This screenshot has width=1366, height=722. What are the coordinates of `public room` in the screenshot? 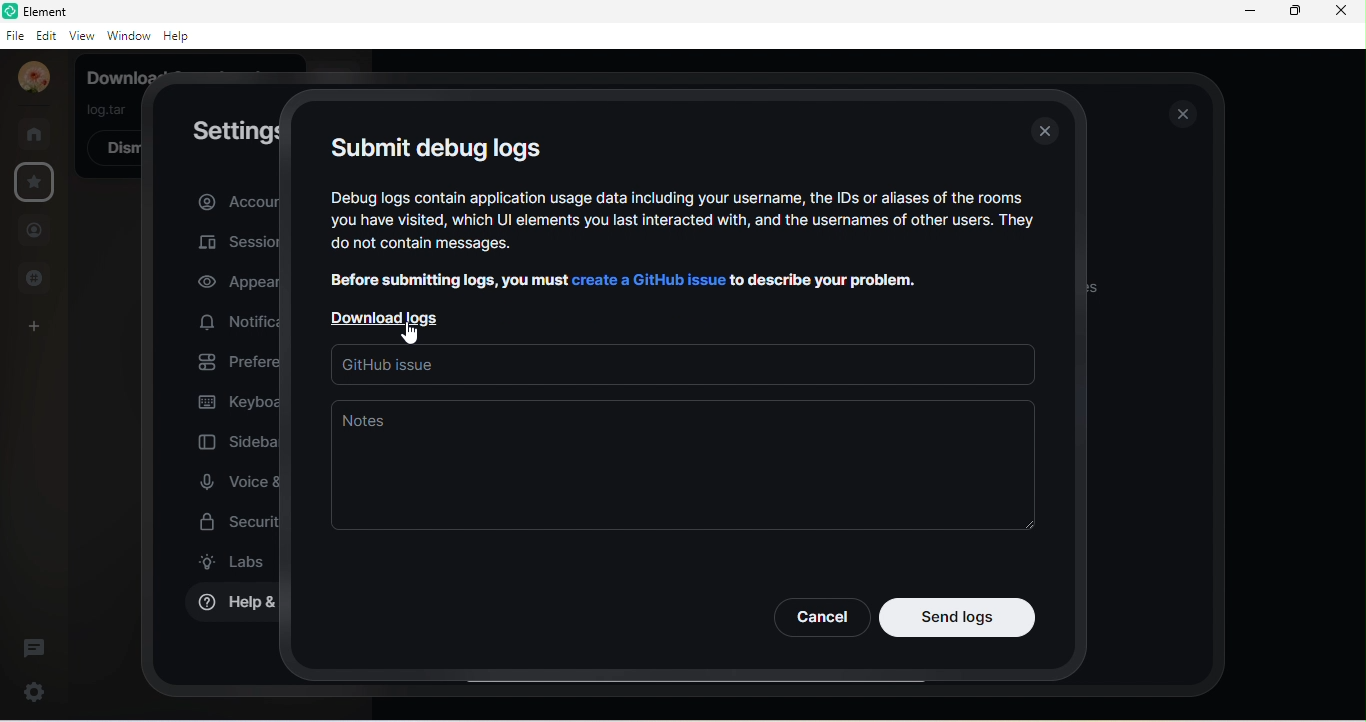 It's located at (33, 278).